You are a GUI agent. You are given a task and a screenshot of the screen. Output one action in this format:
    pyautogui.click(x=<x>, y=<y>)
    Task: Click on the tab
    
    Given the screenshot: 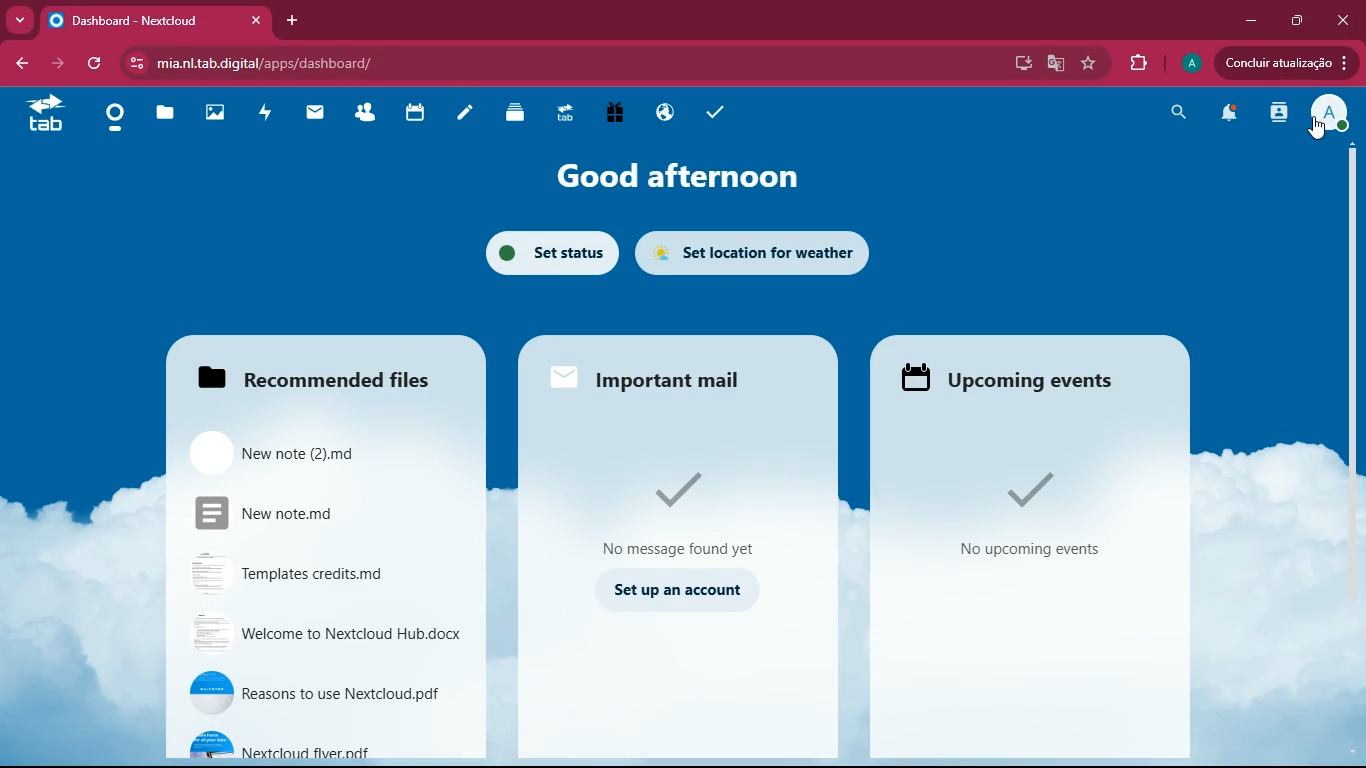 What is the action you would take?
    pyautogui.click(x=44, y=114)
    